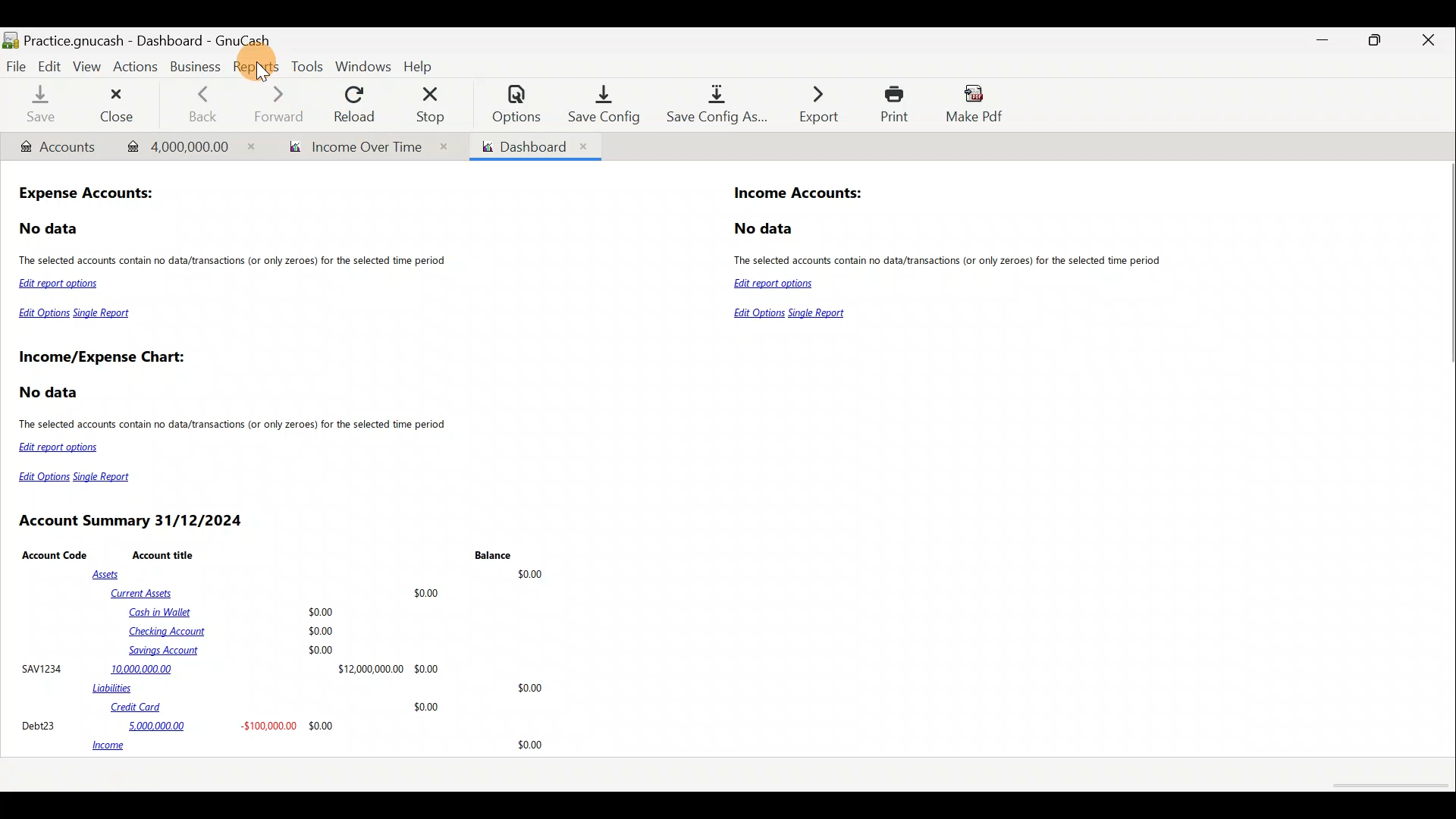  What do you see at coordinates (266, 554) in the screenshot?
I see `Account Code Account title Balance` at bounding box center [266, 554].